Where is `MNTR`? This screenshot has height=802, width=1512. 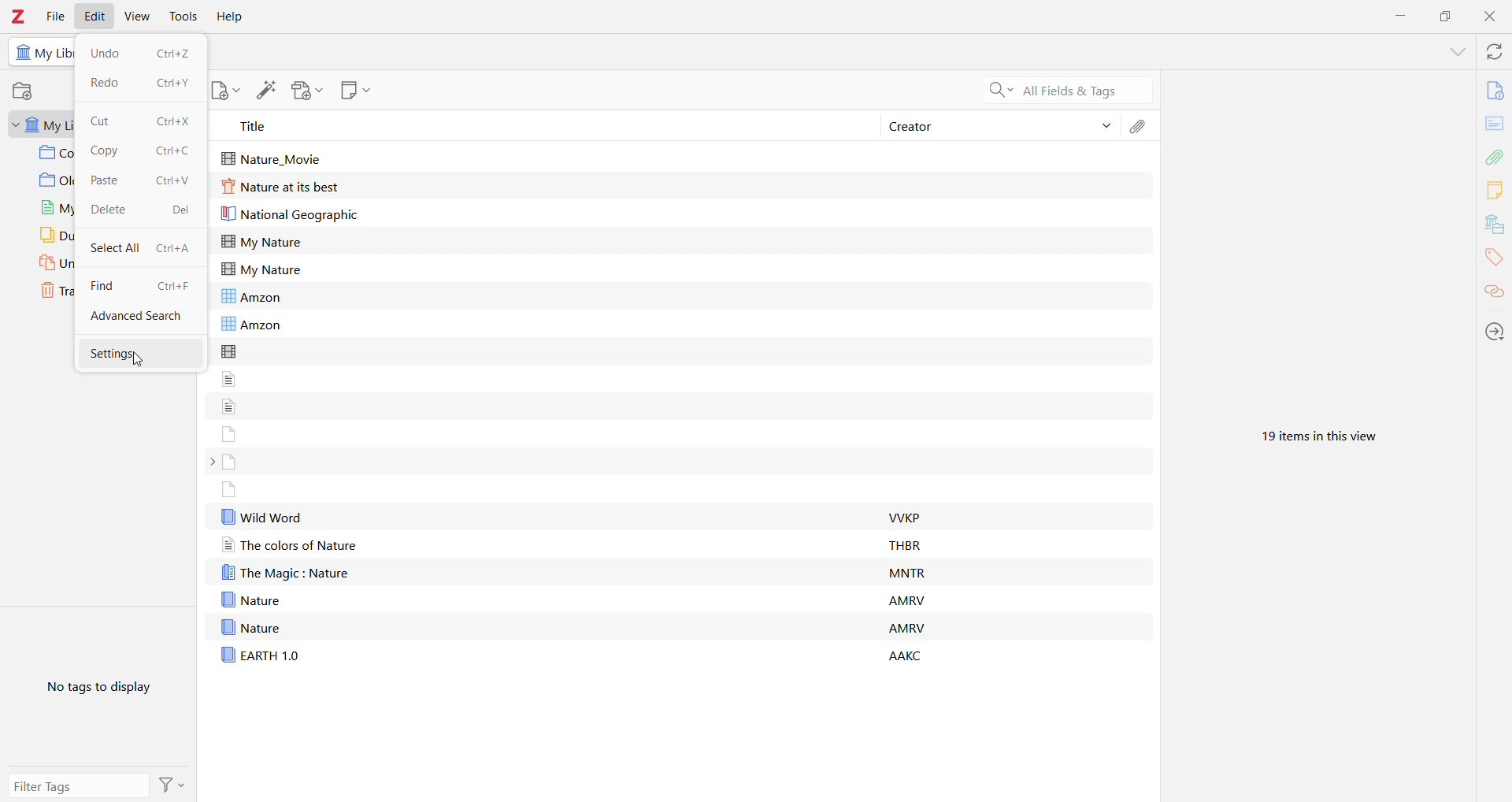 MNTR is located at coordinates (910, 572).